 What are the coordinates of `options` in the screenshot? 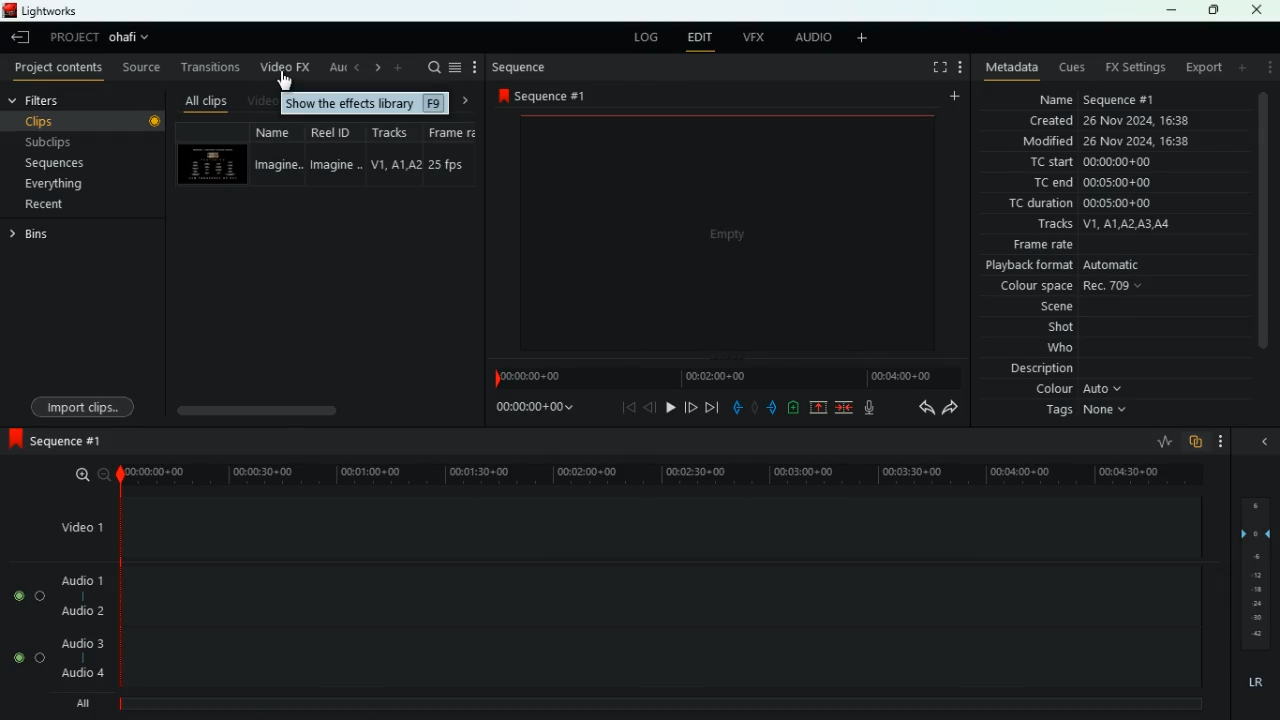 It's located at (476, 67).